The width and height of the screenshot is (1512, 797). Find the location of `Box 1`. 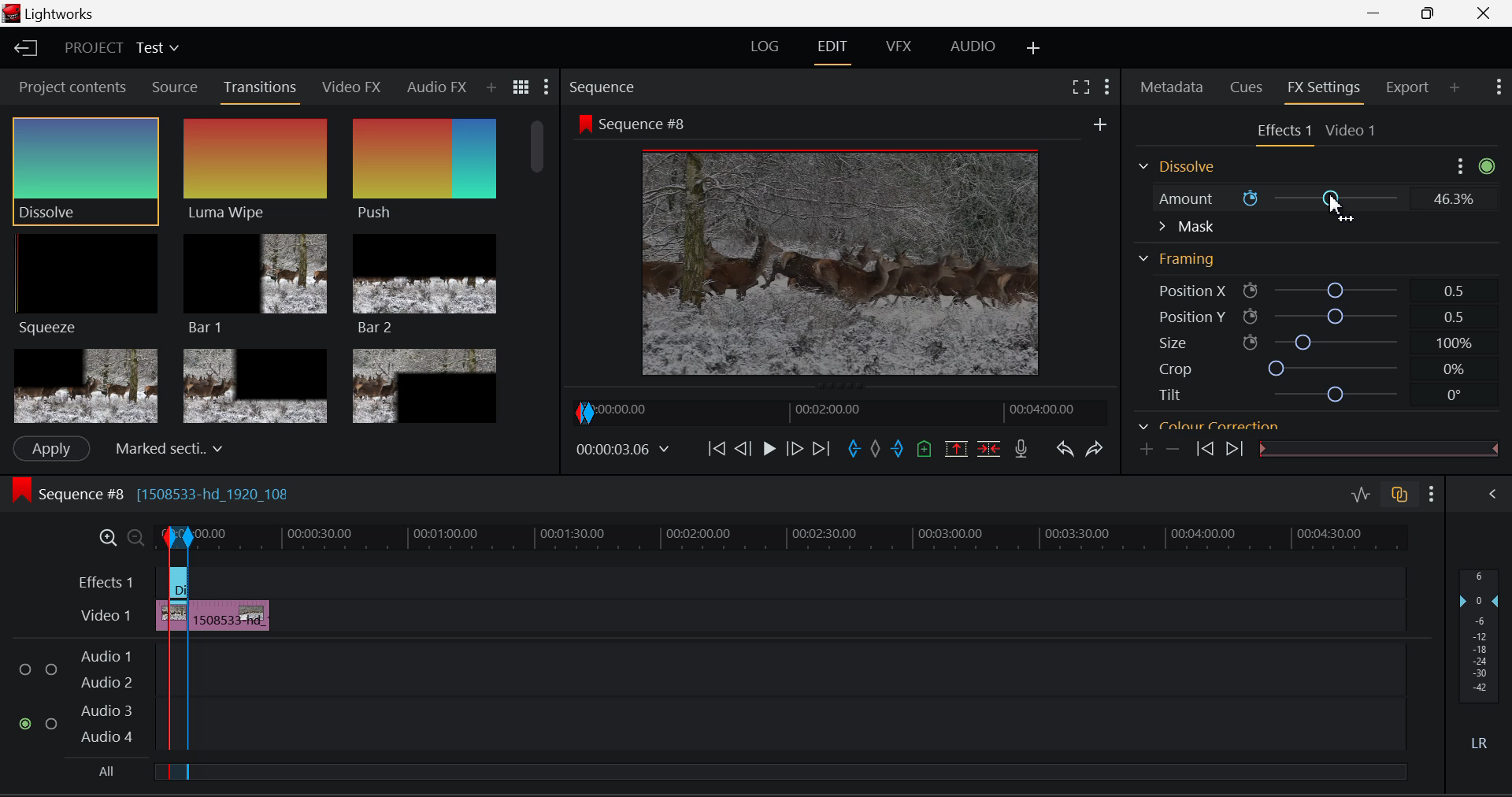

Box 1 is located at coordinates (84, 387).